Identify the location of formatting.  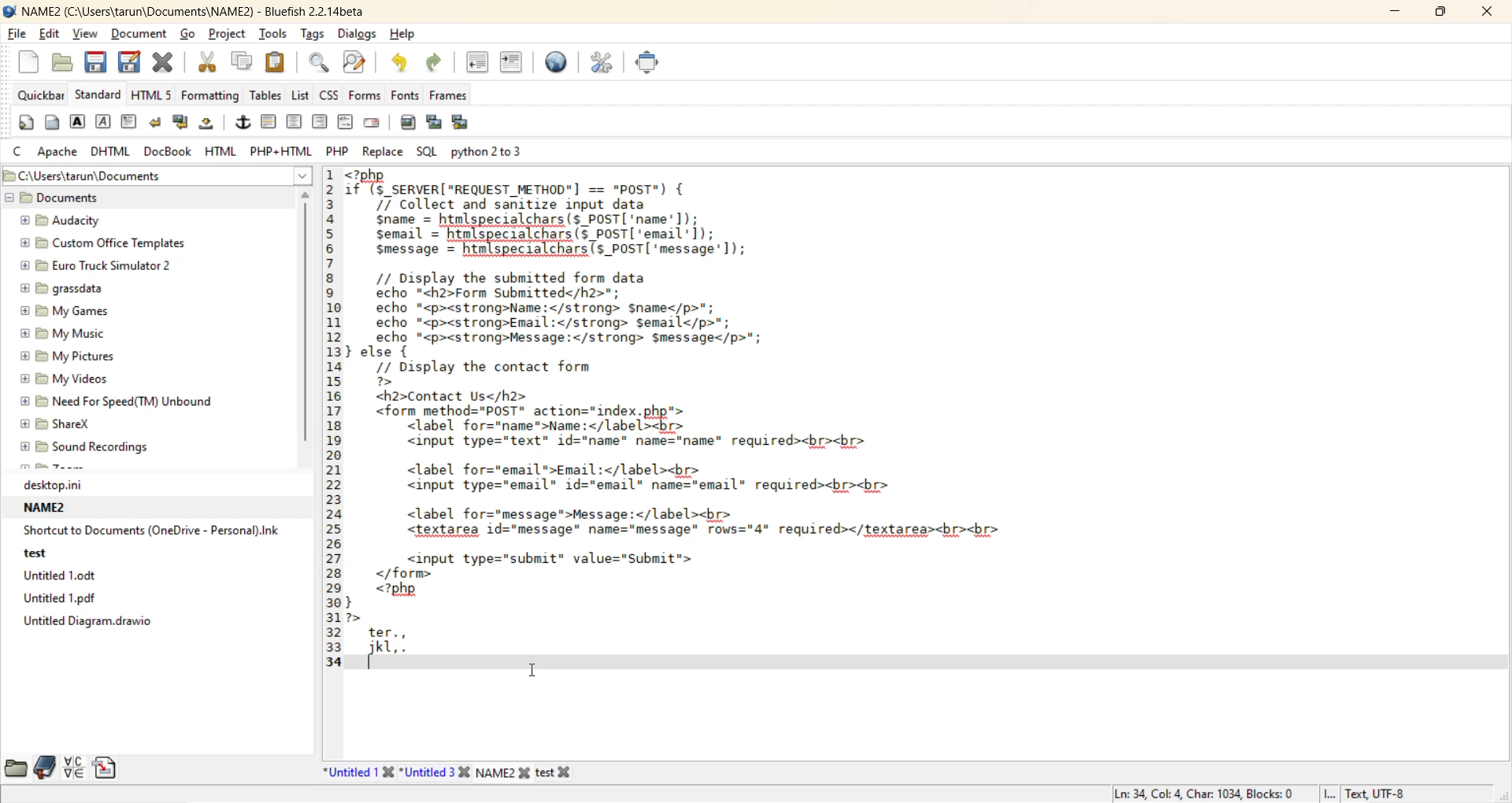
(209, 96).